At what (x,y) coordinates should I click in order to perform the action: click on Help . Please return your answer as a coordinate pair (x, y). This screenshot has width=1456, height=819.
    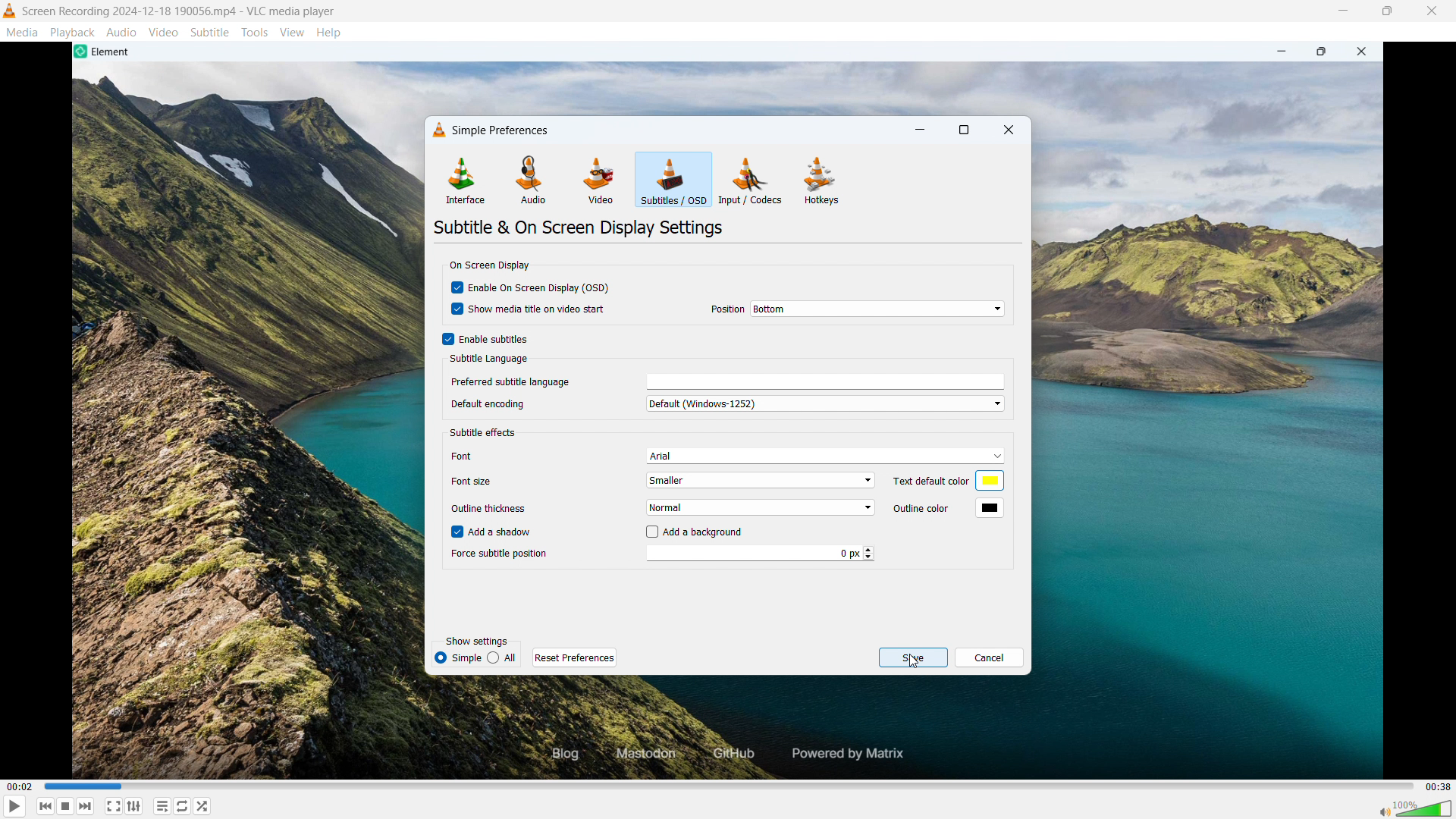
    Looking at the image, I should click on (329, 32).